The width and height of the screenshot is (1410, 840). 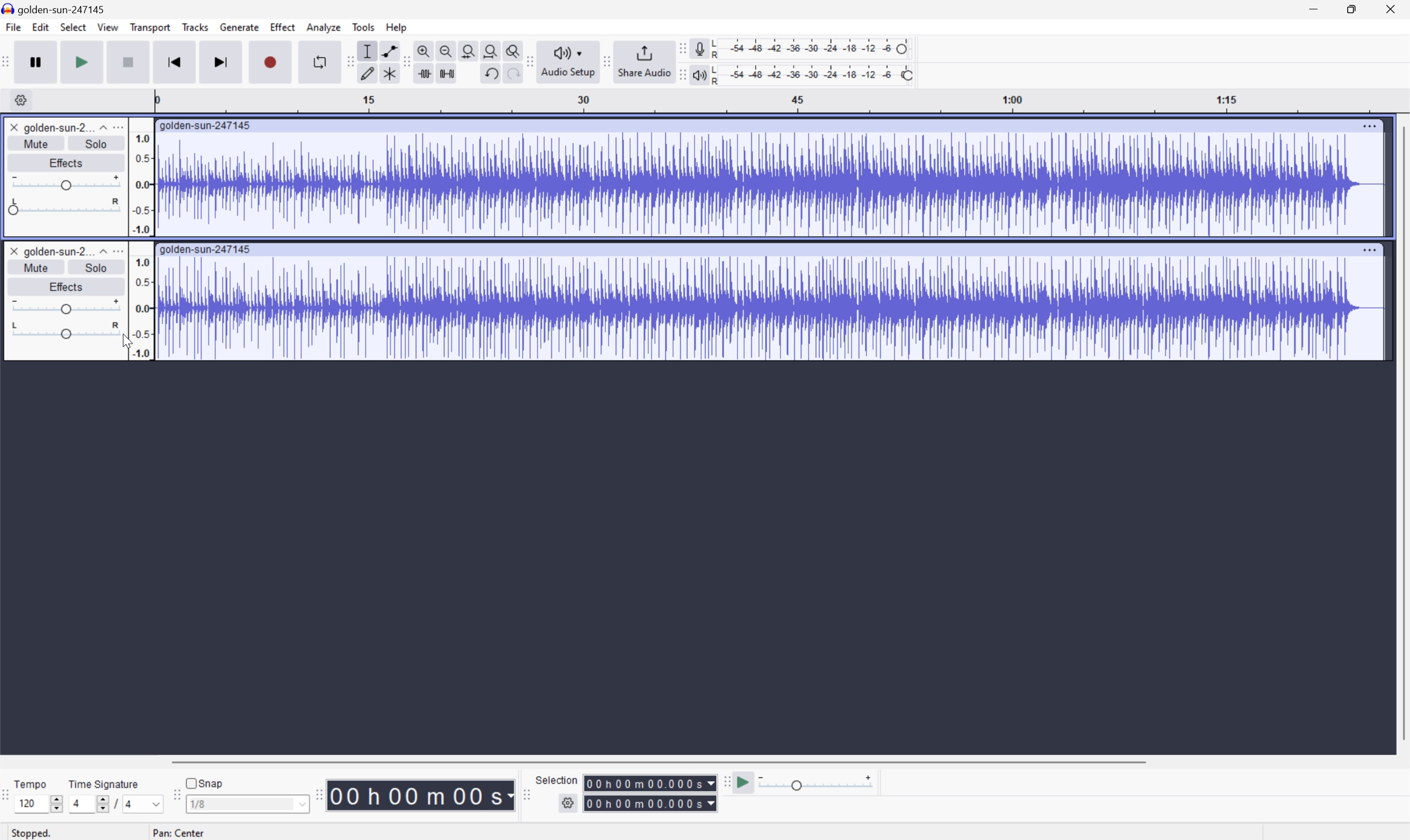 What do you see at coordinates (142, 248) in the screenshot?
I see `Frequencies` at bounding box center [142, 248].